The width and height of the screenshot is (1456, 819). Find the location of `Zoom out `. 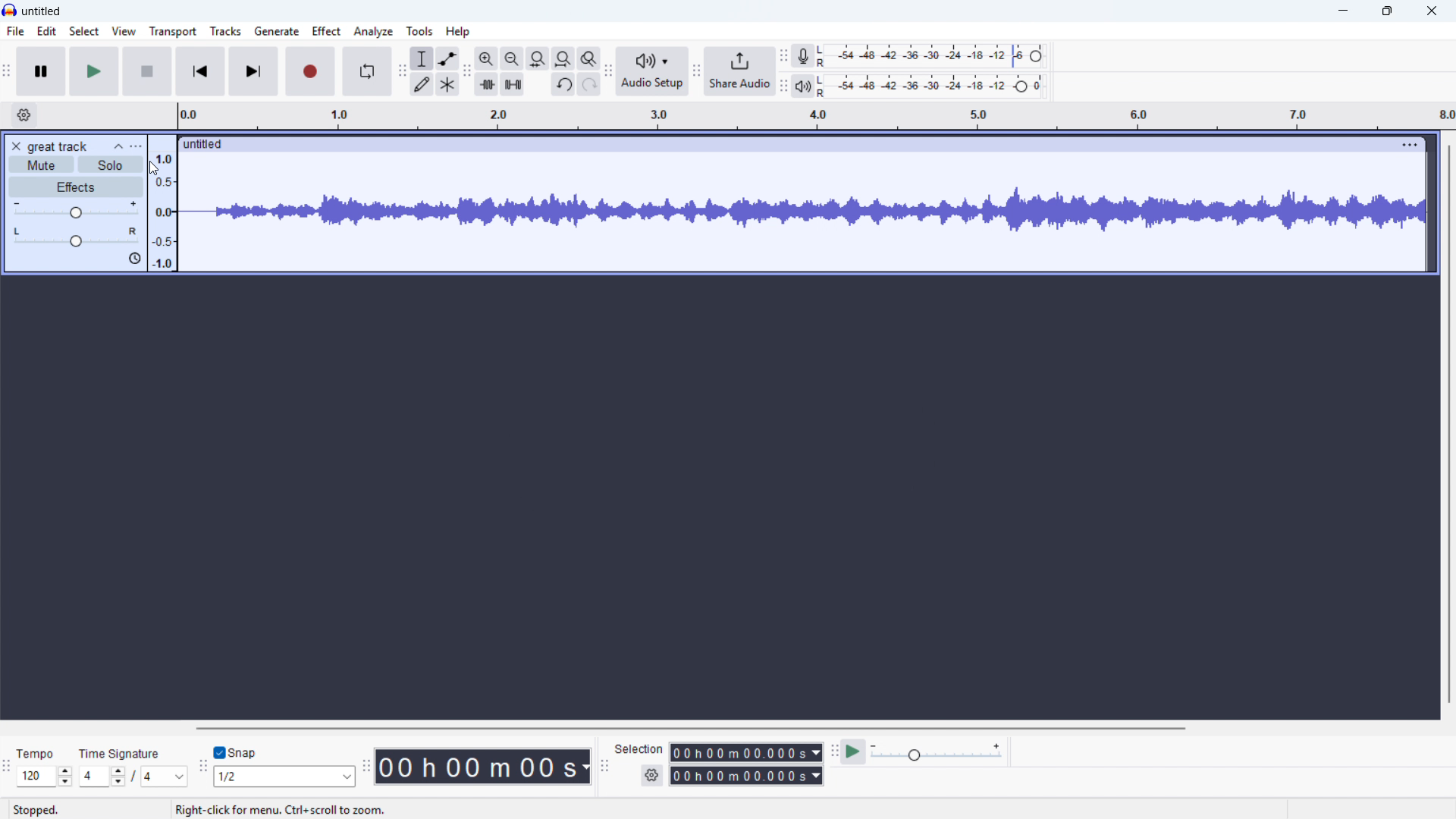

Zoom out  is located at coordinates (512, 58).